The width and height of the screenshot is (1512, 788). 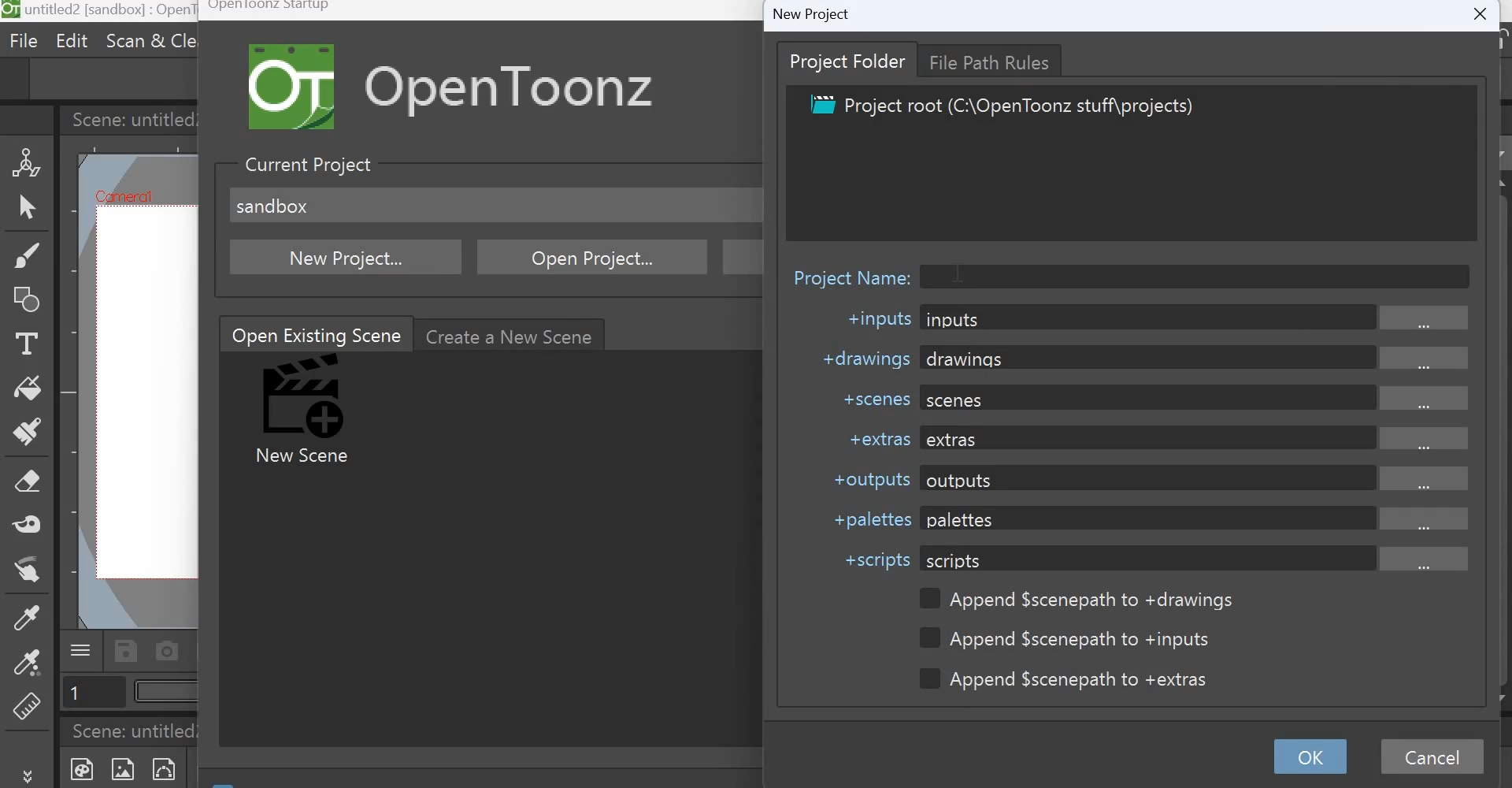 What do you see at coordinates (865, 478) in the screenshot?
I see `+outputs` at bounding box center [865, 478].